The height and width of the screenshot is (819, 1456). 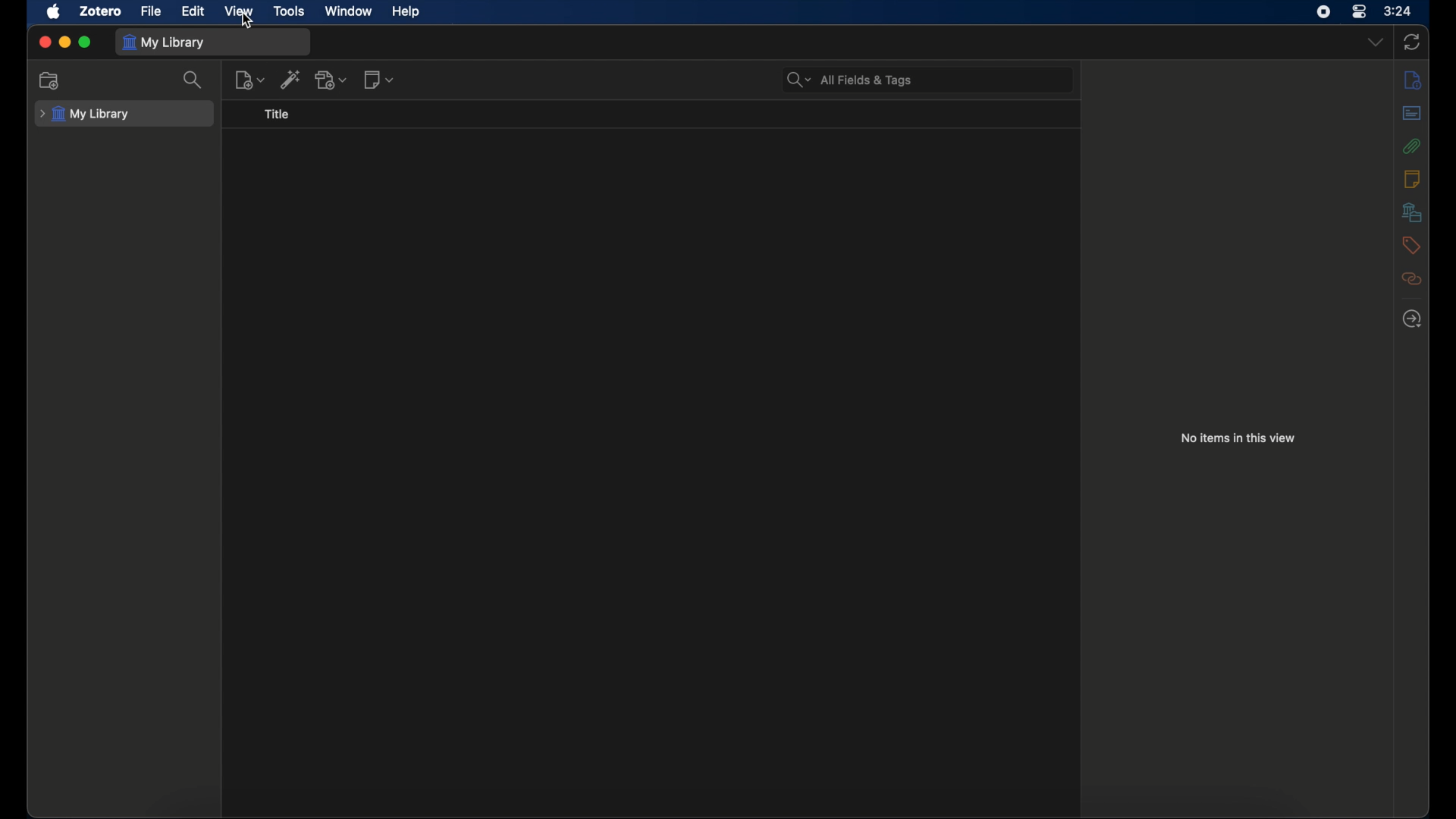 What do you see at coordinates (86, 42) in the screenshot?
I see `maximize` at bounding box center [86, 42].